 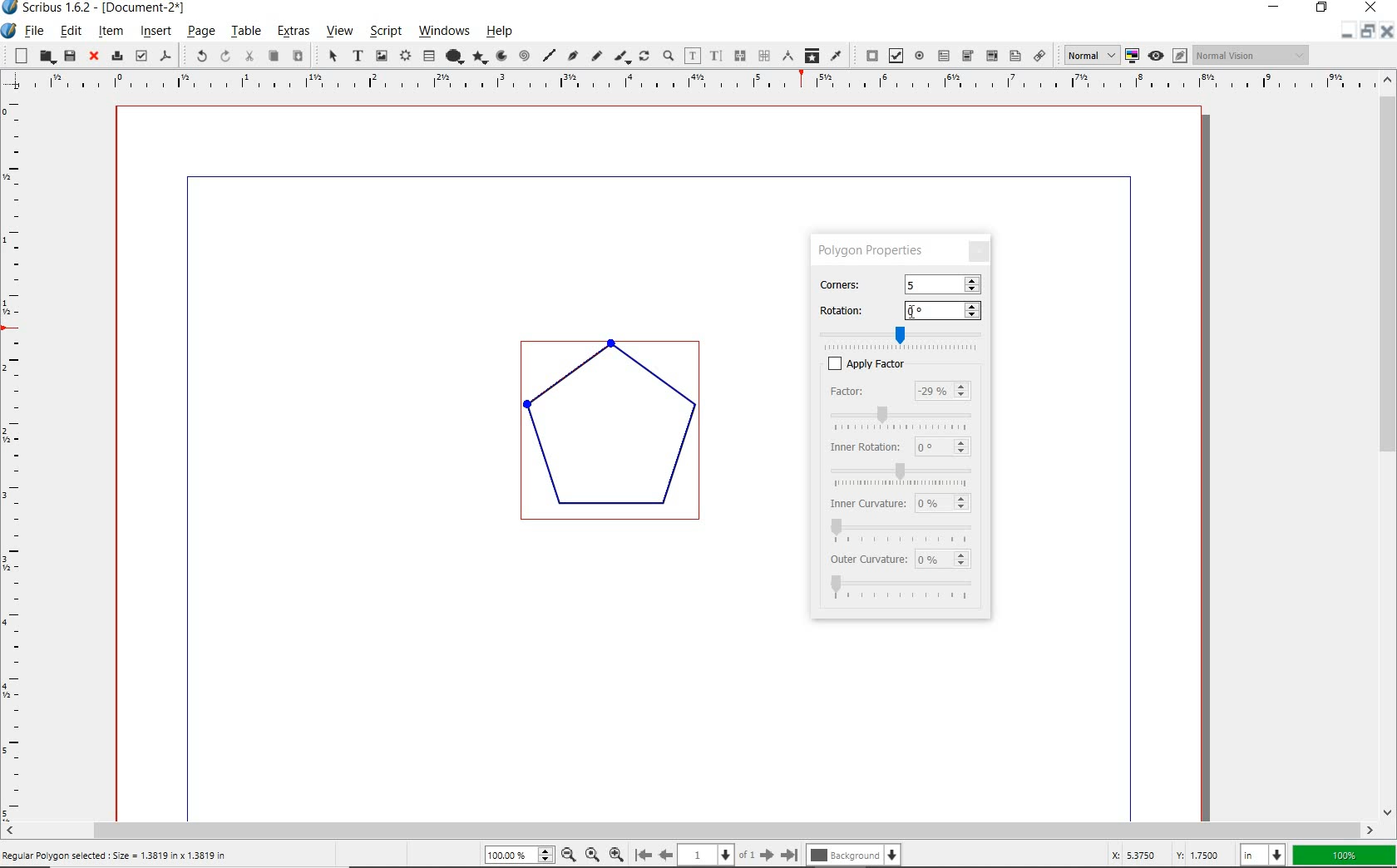 What do you see at coordinates (384, 32) in the screenshot?
I see `script` at bounding box center [384, 32].